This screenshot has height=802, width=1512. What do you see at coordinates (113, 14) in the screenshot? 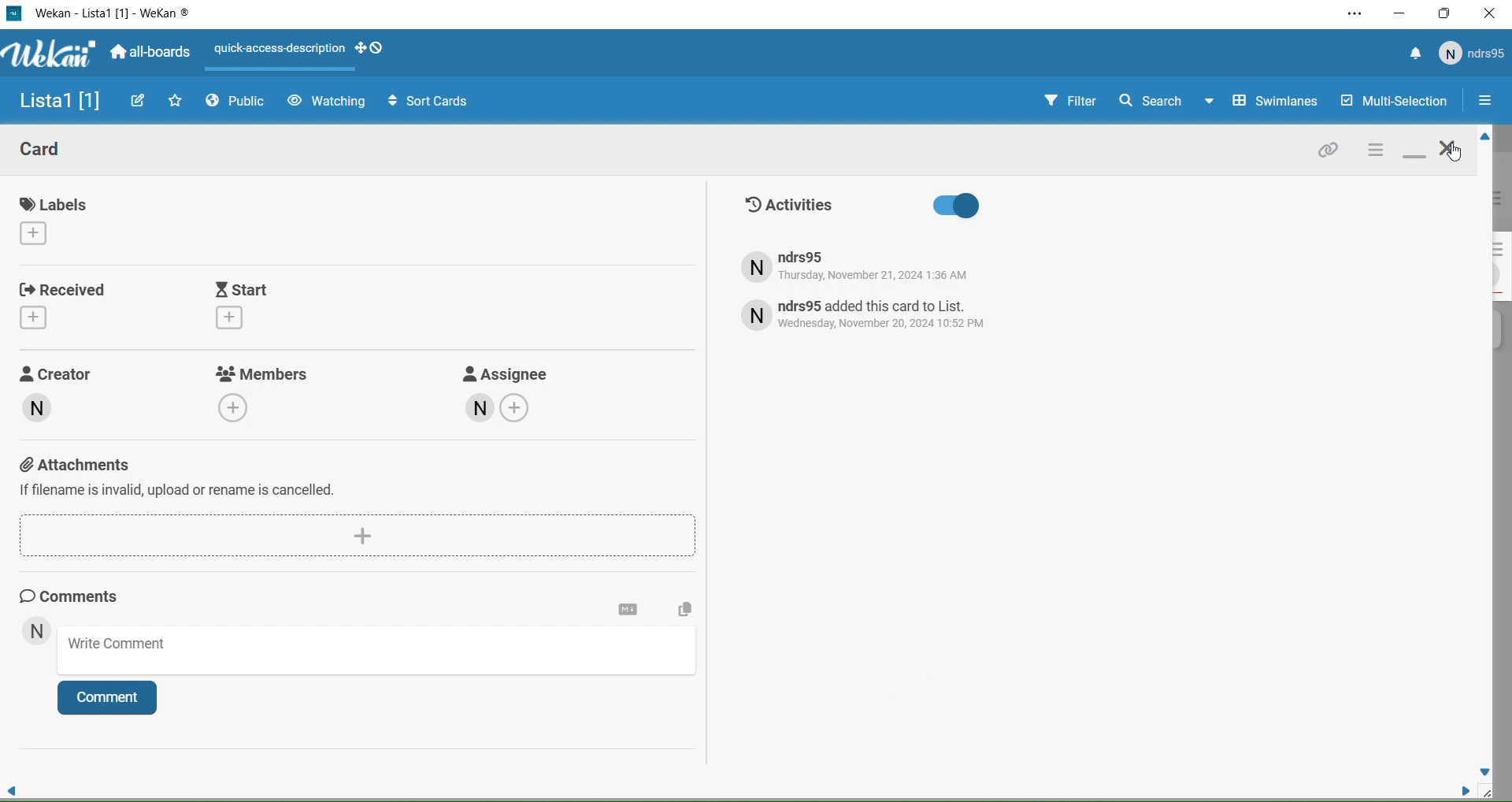
I see `Wekan` at bounding box center [113, 14].